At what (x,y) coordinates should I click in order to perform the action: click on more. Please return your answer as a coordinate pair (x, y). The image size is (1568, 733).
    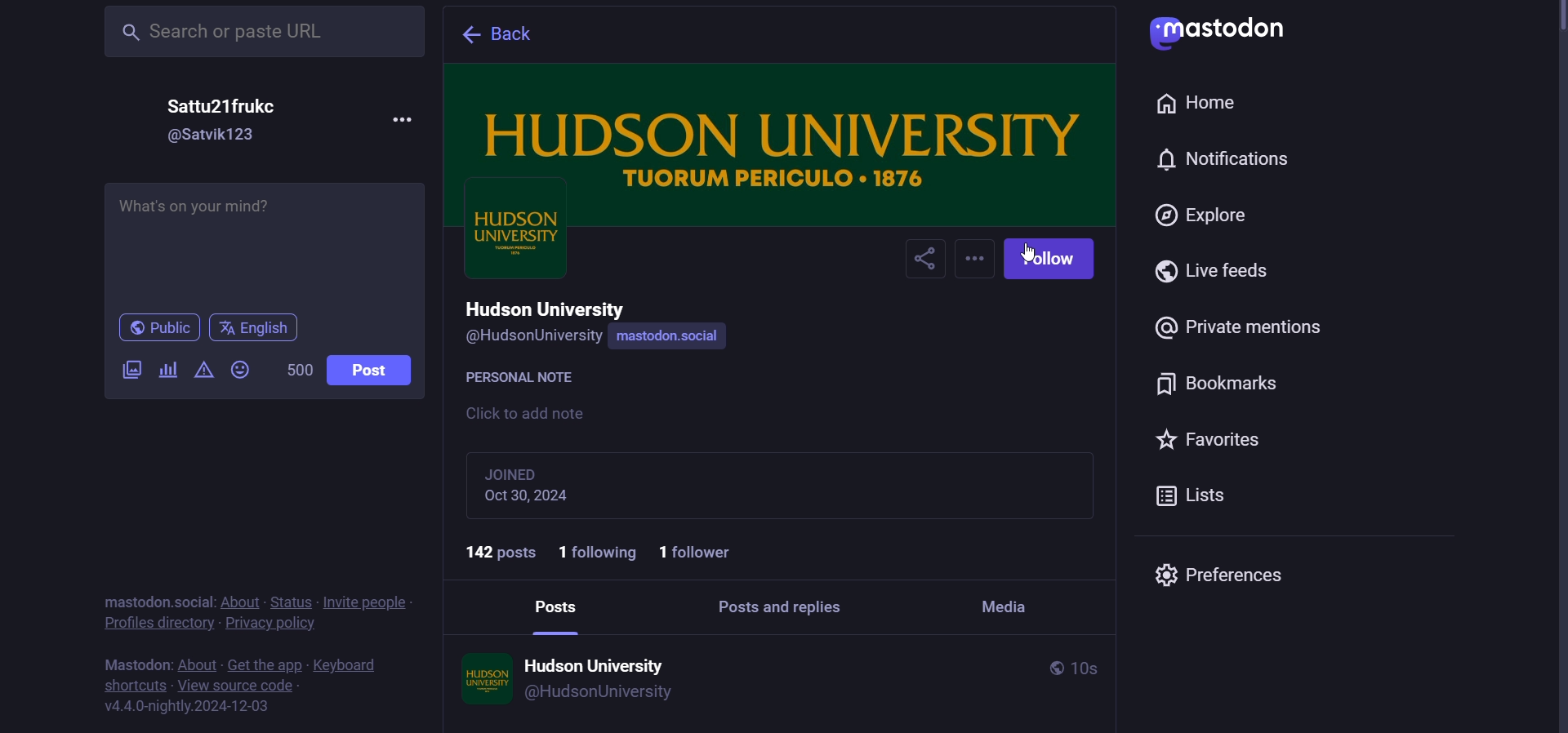
    Looking at the image, I should click on (975, 260).